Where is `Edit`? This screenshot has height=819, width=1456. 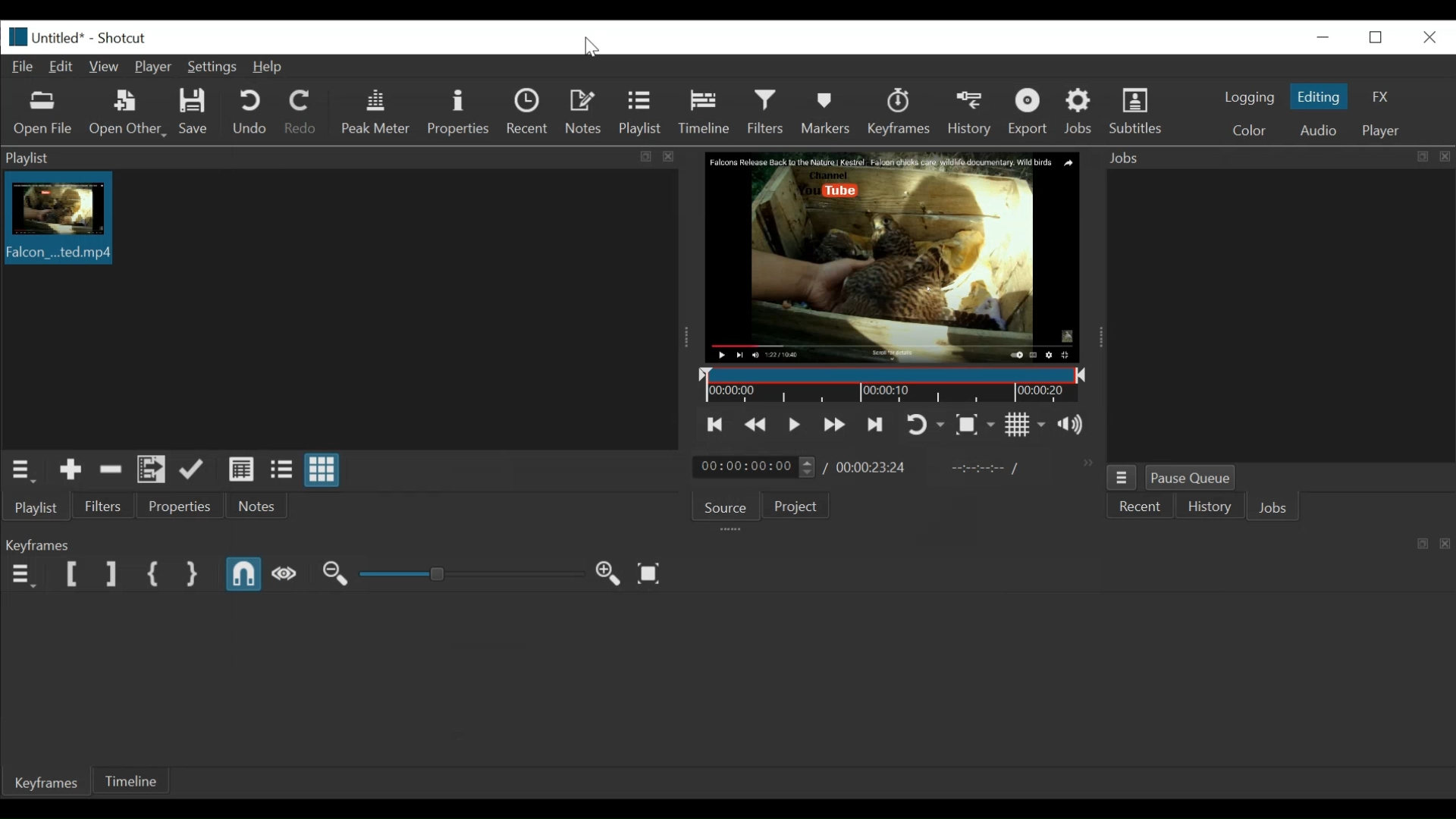
Edit is located at coordinates (63, 67).